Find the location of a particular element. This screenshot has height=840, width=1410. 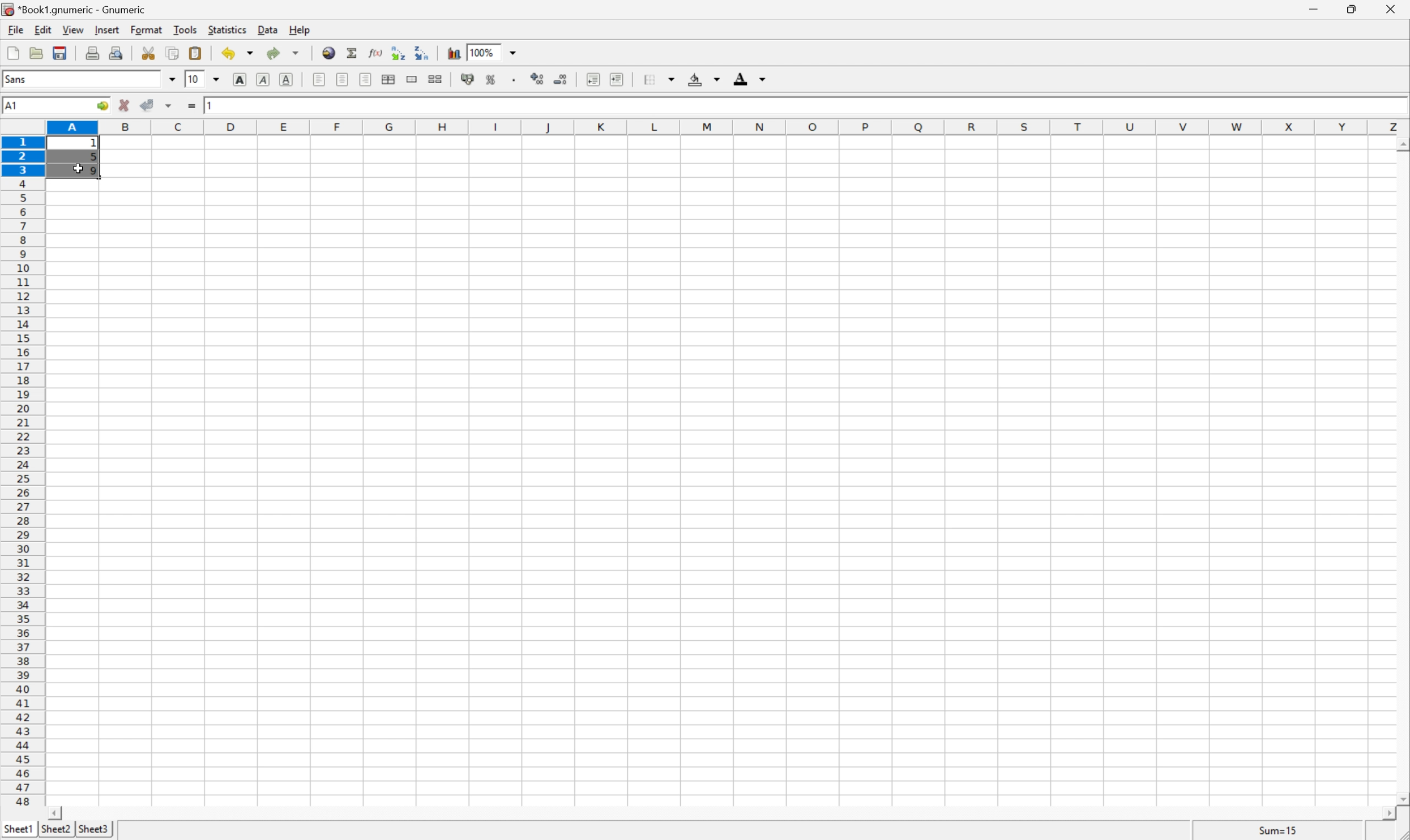

restore down is located at coordinates (1353, 9).